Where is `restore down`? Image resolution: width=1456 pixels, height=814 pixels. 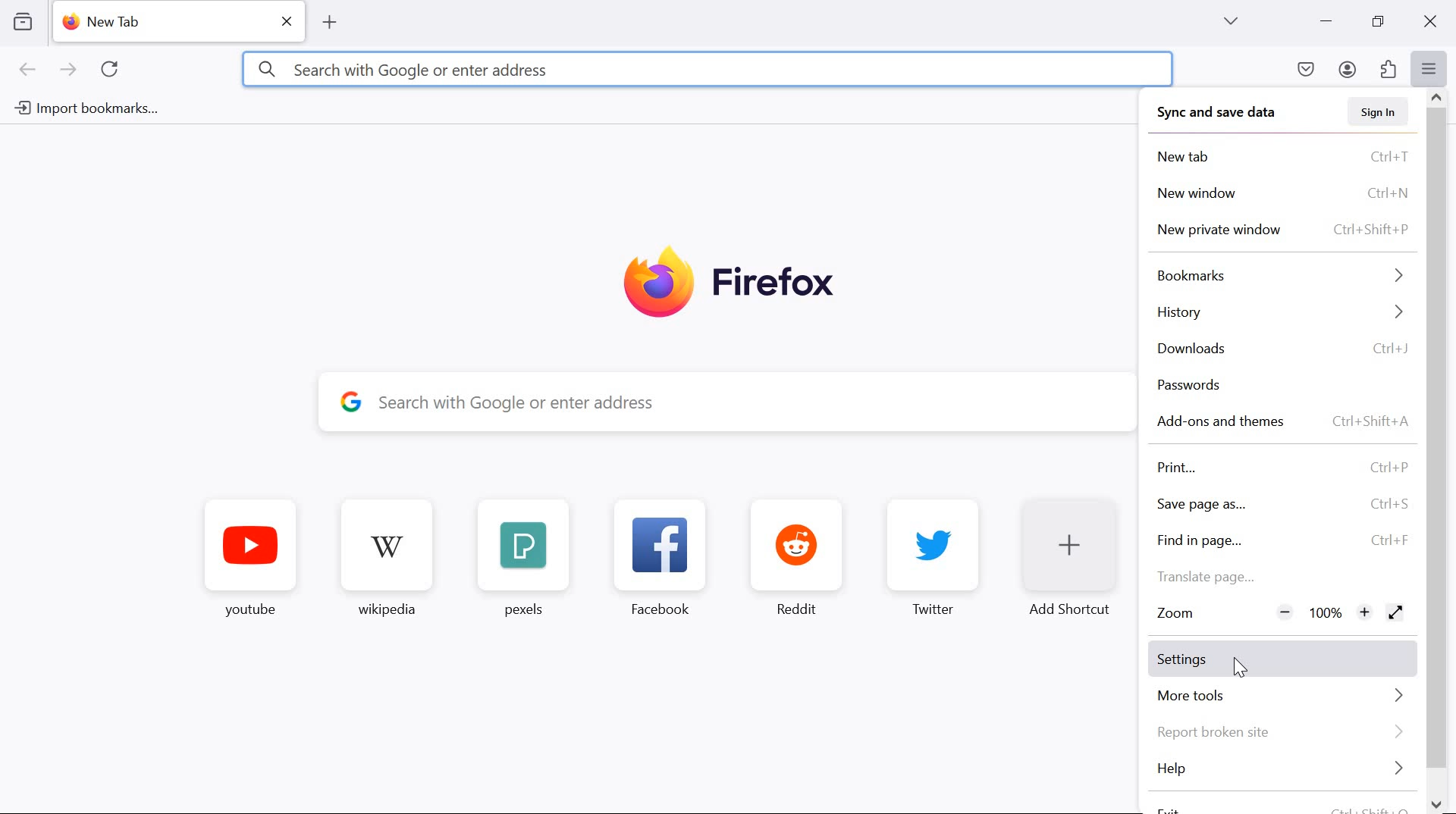
restore down is located at coordinates (1379, 20).